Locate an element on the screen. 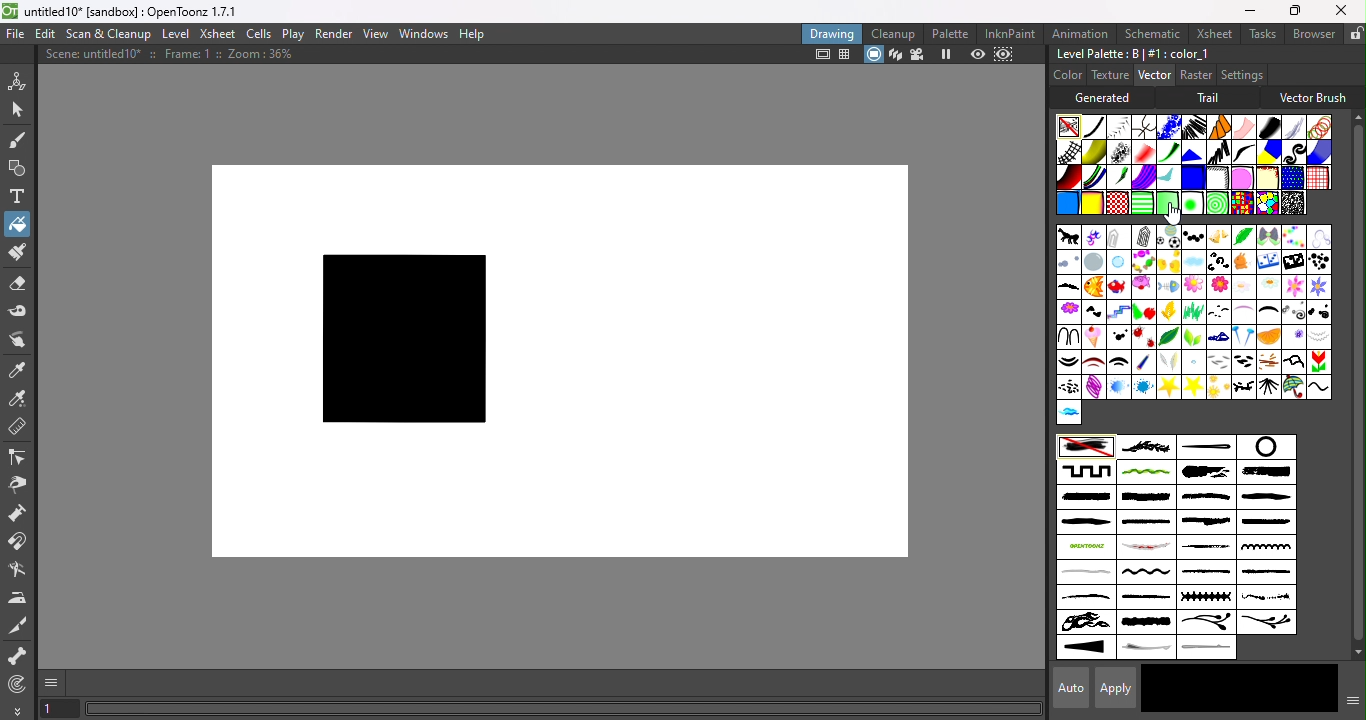  Orange is located at coordinates (1272, 337).